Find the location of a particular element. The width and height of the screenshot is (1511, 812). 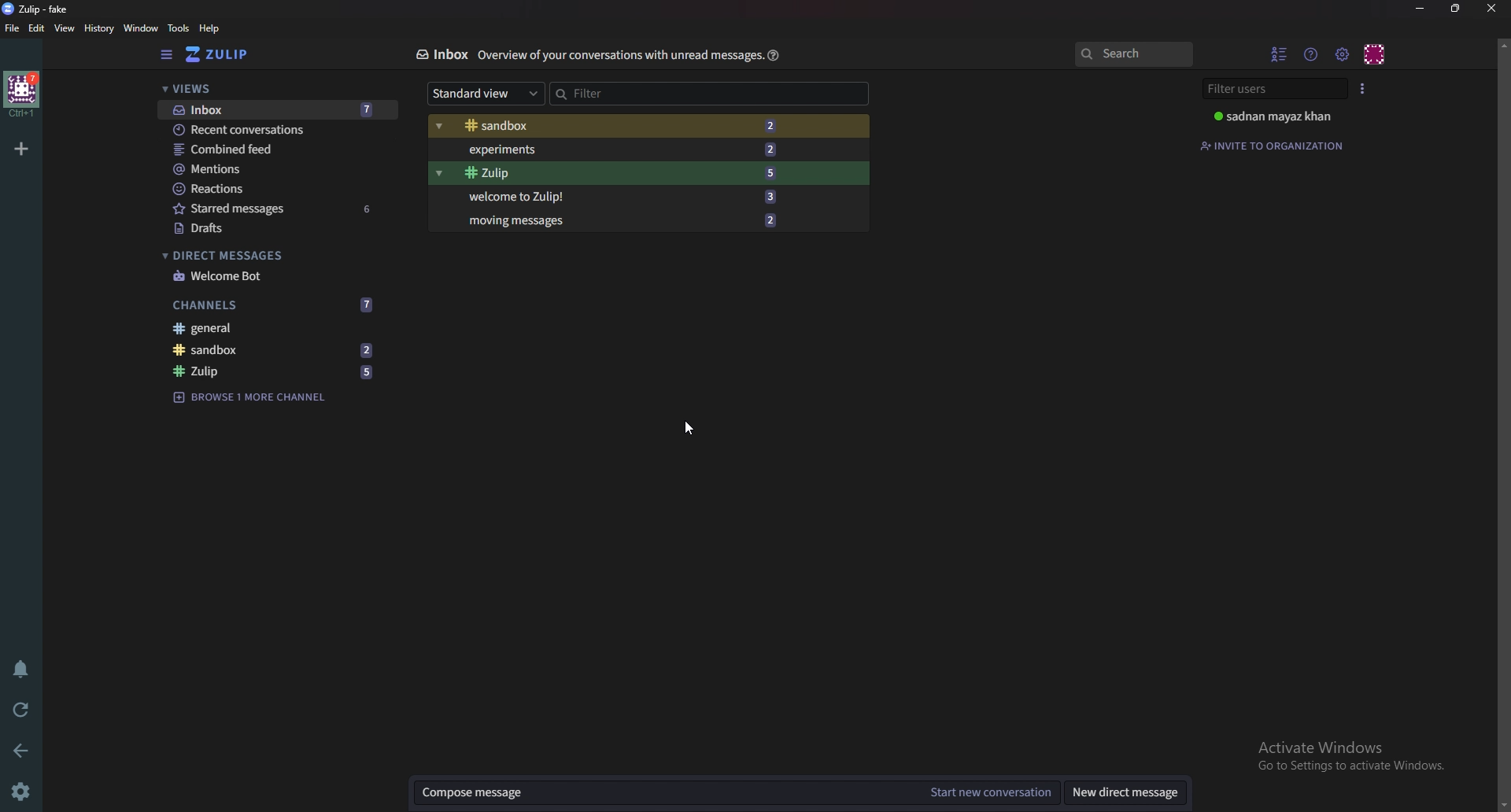

Minimize is located at coordinates (1422, 9).